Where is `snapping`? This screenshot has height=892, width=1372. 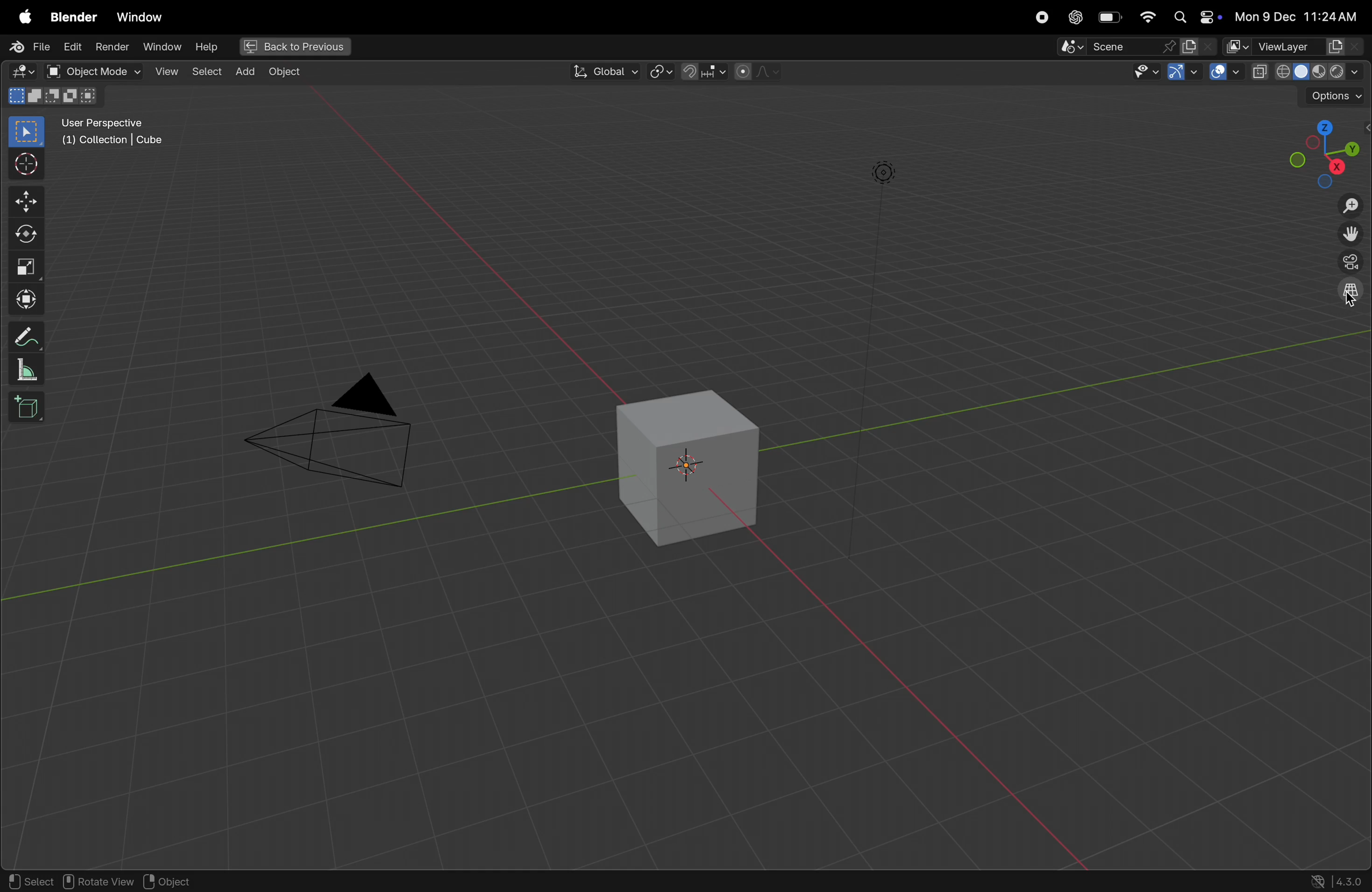
snapping is located at coordinates (701, 71).